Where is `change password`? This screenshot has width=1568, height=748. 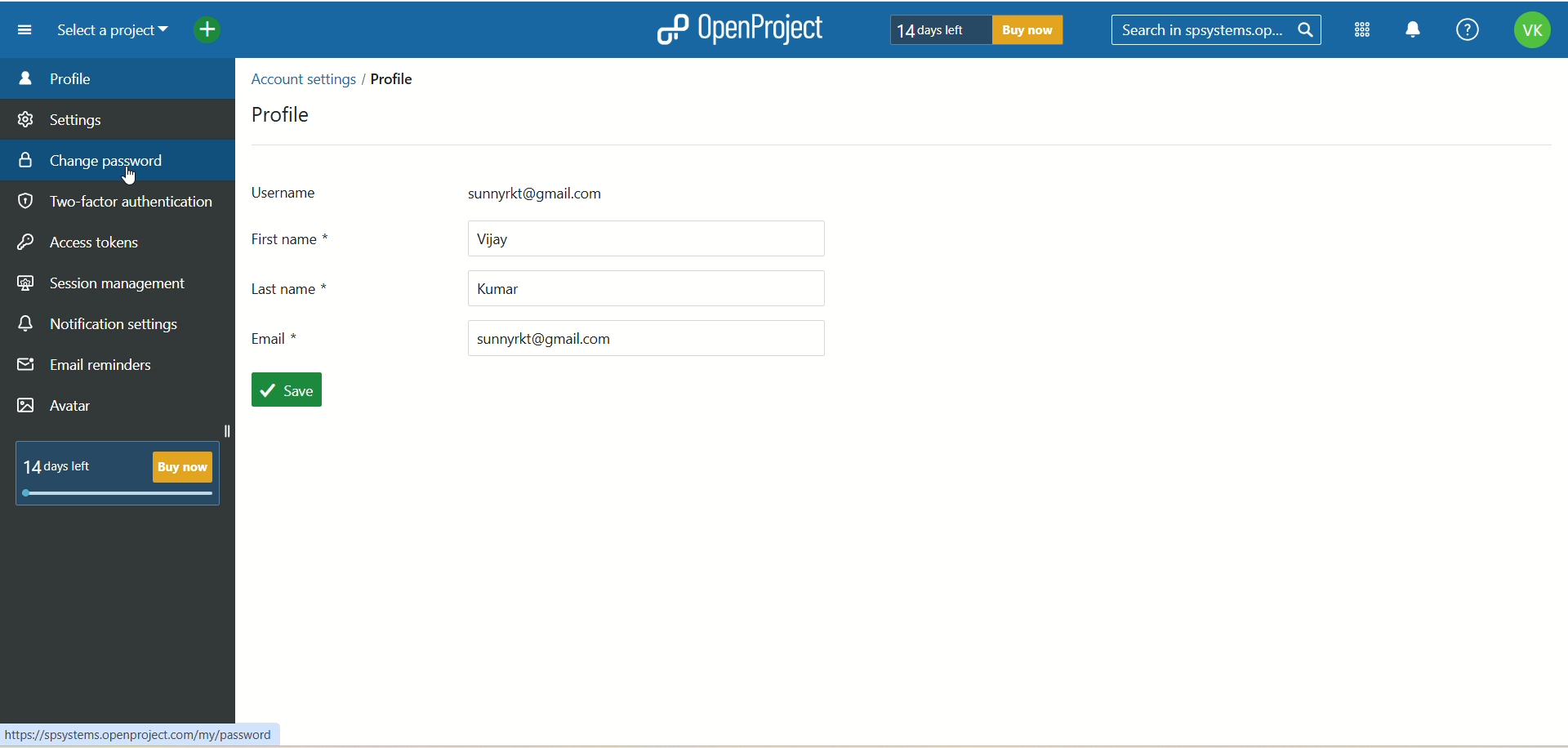 change password is located at coordinates (120, 158).